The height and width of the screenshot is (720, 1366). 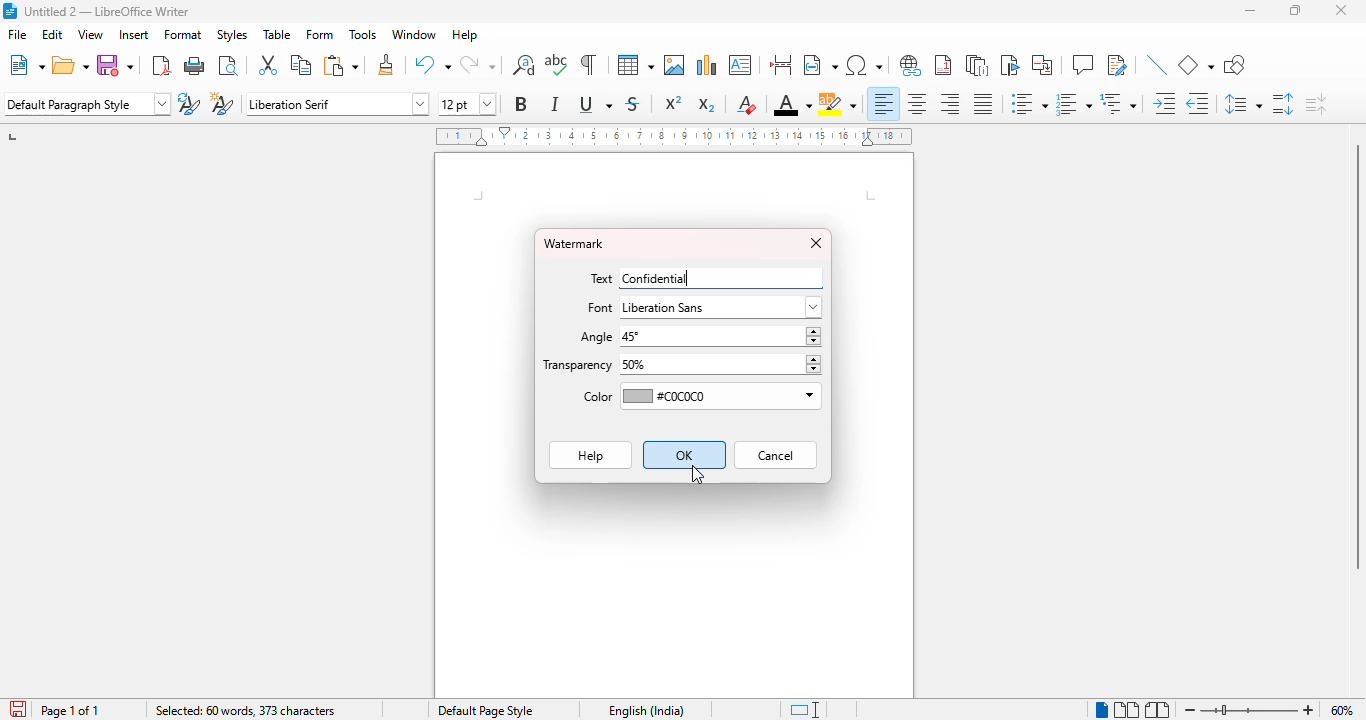 What do you see at coordinates (721, 335) in the screenshot?
I see ` 45°` at bounding box center [721, 335].